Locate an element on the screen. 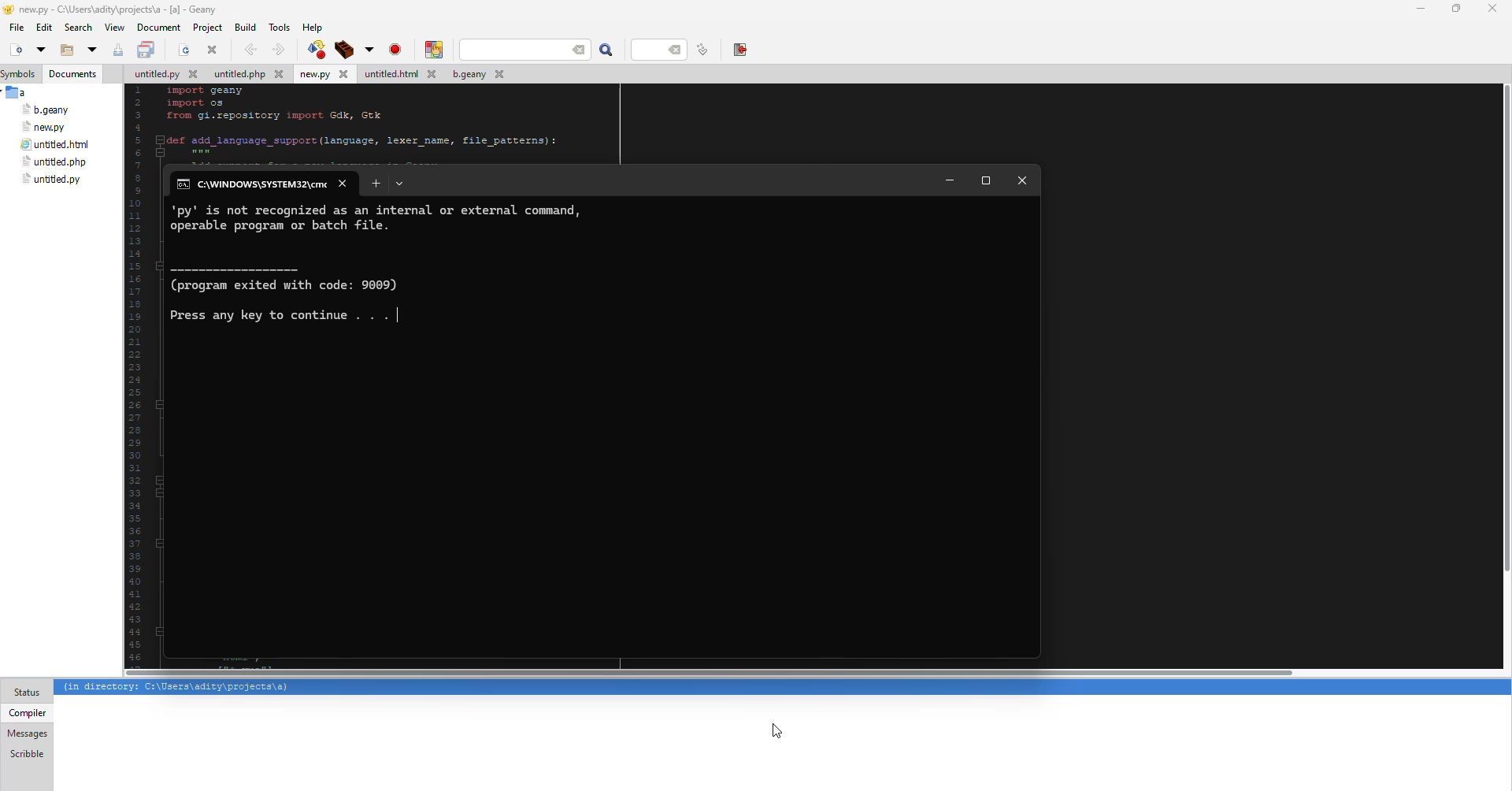 Image resolution: width=1512 pixels, height=791 pixels. project is located at coordinates (207, 28).